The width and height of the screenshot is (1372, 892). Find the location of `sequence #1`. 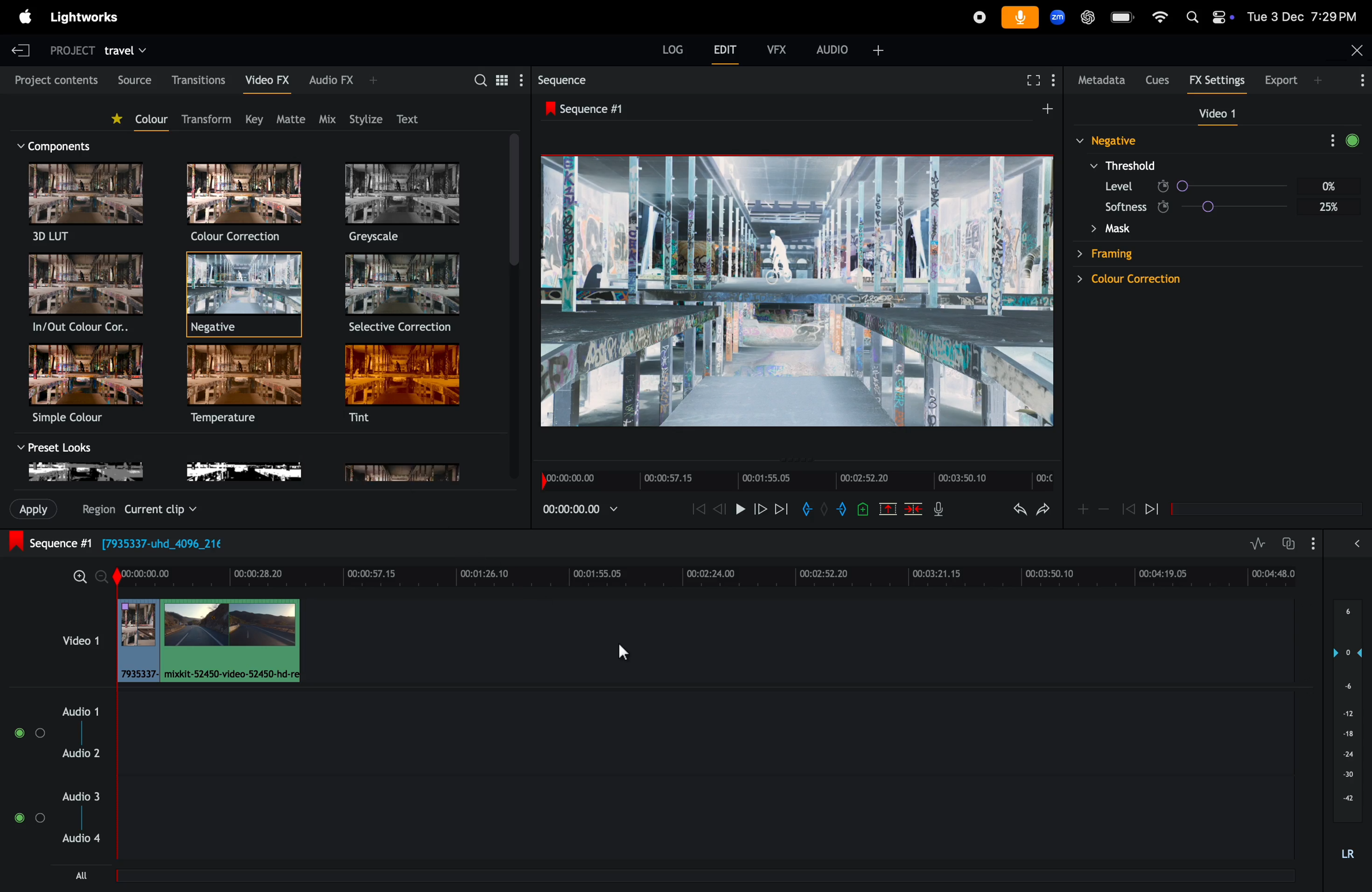

sequence #1 is located at coordinates (133, 543).